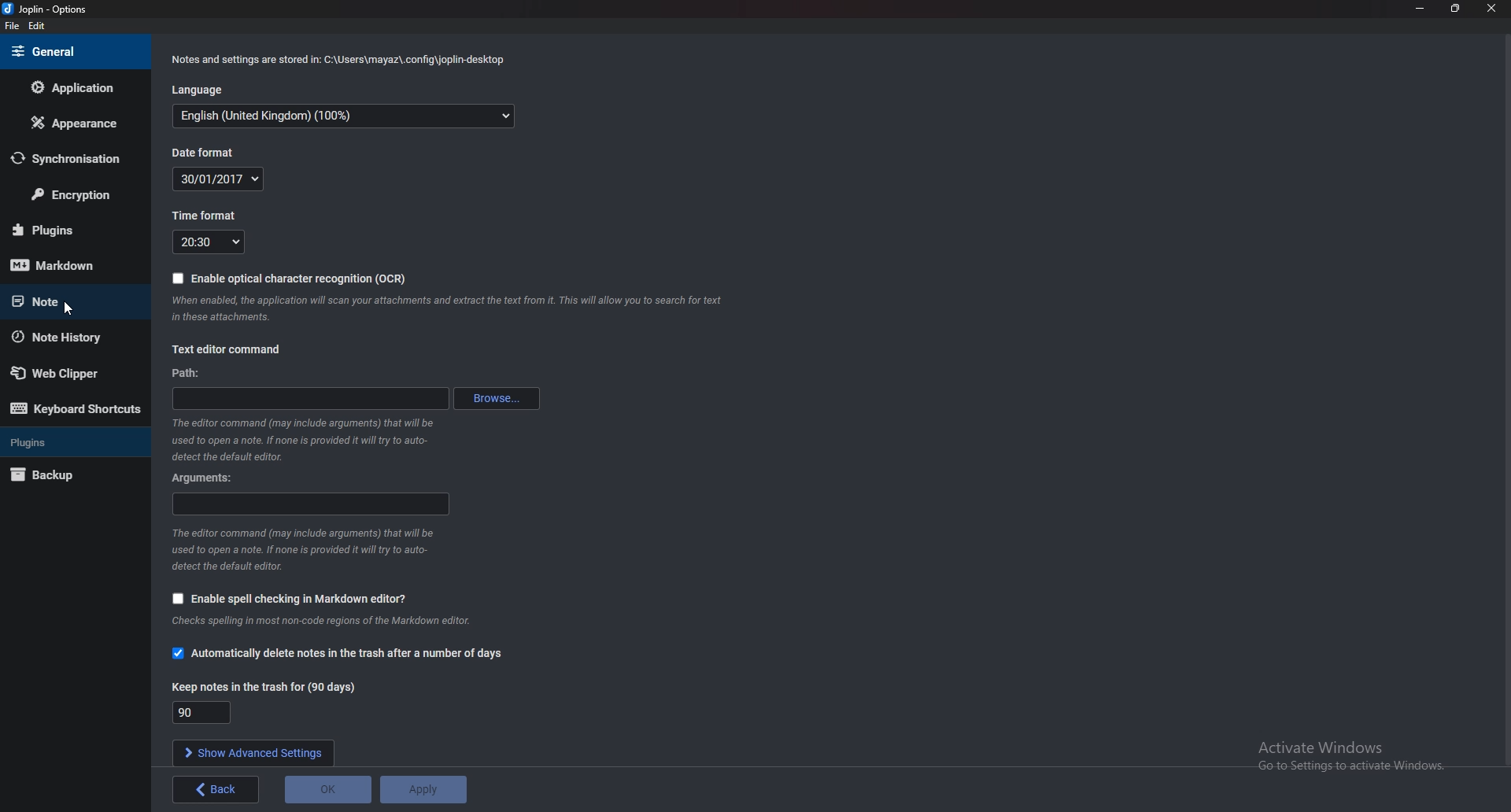 The width and height of the screenshot is (1511, 812). Describe the element at coordinates (177, 599) in the screenshot. I see `Checkbox ` at that location.